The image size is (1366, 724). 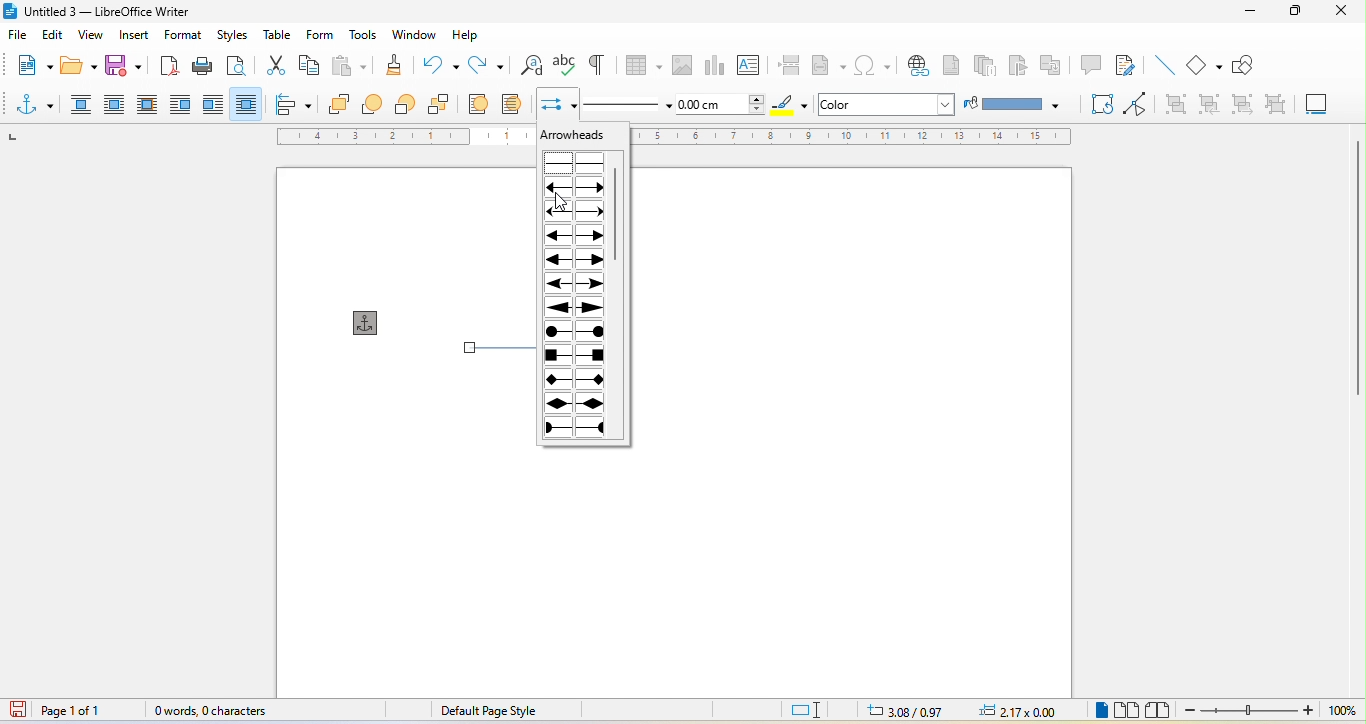 What do you see at coordinates (516, 103) in the screenshot?
I see `to background` at bounding box center [516, 103].